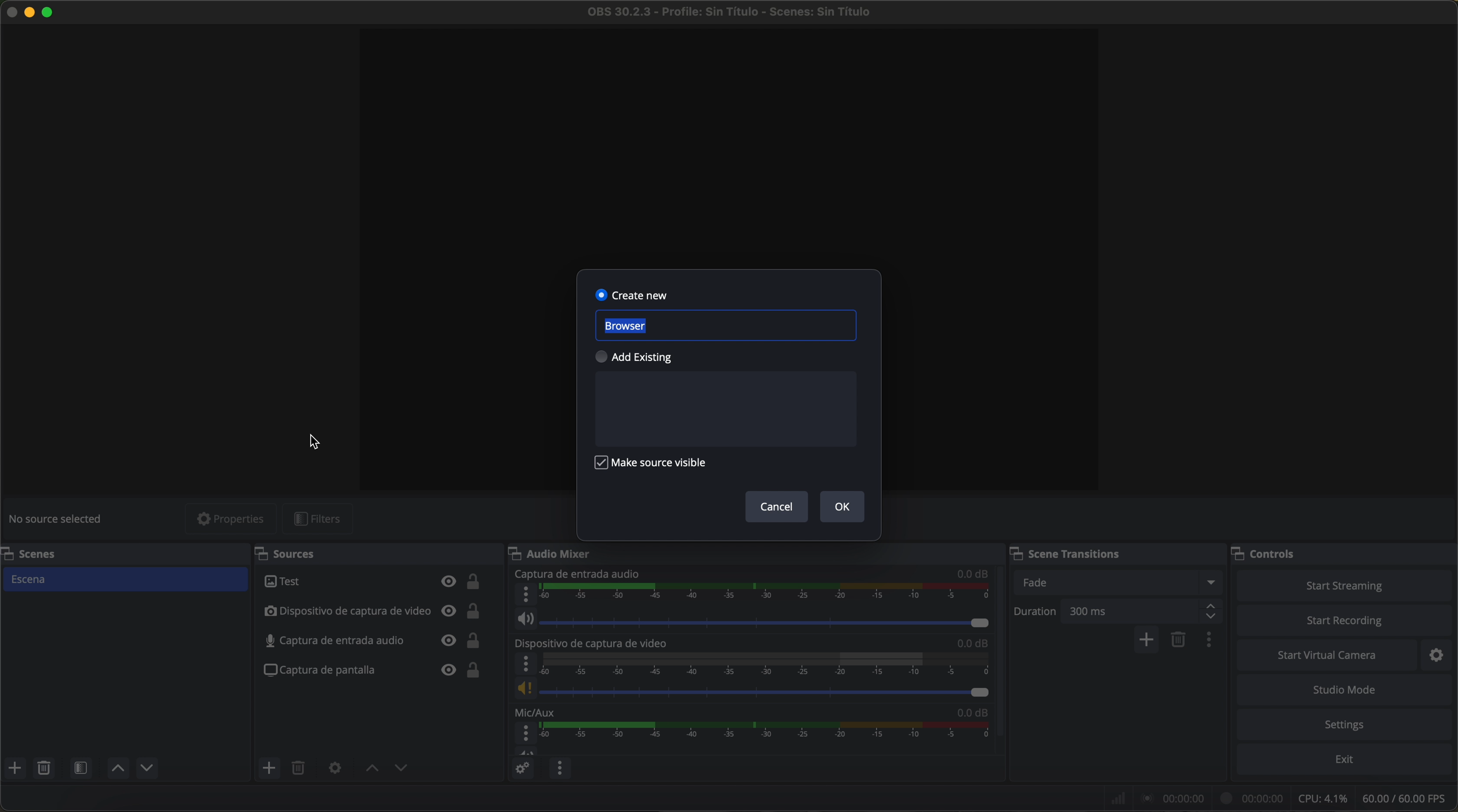 The width and height of the screenshot is (1458, 812). I want to click on data, so click(1280, 797).